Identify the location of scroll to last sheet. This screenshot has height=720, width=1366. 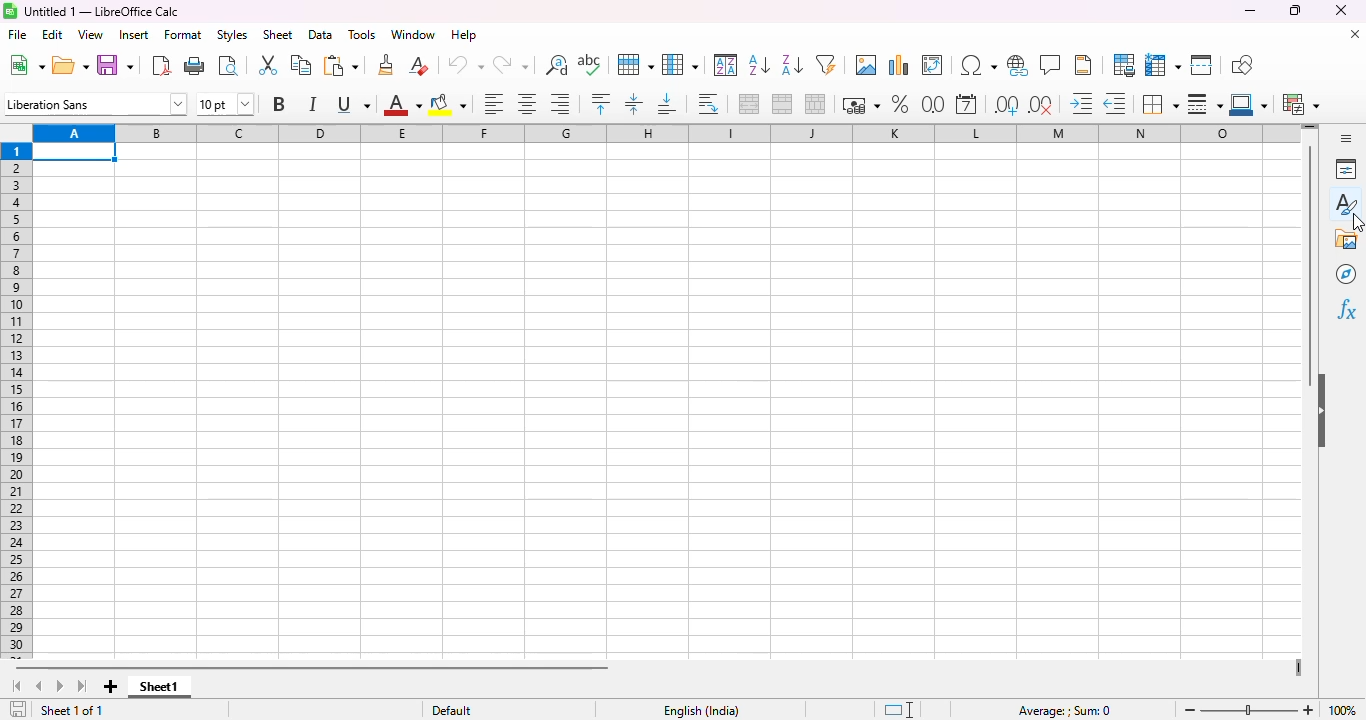
(84, 687).